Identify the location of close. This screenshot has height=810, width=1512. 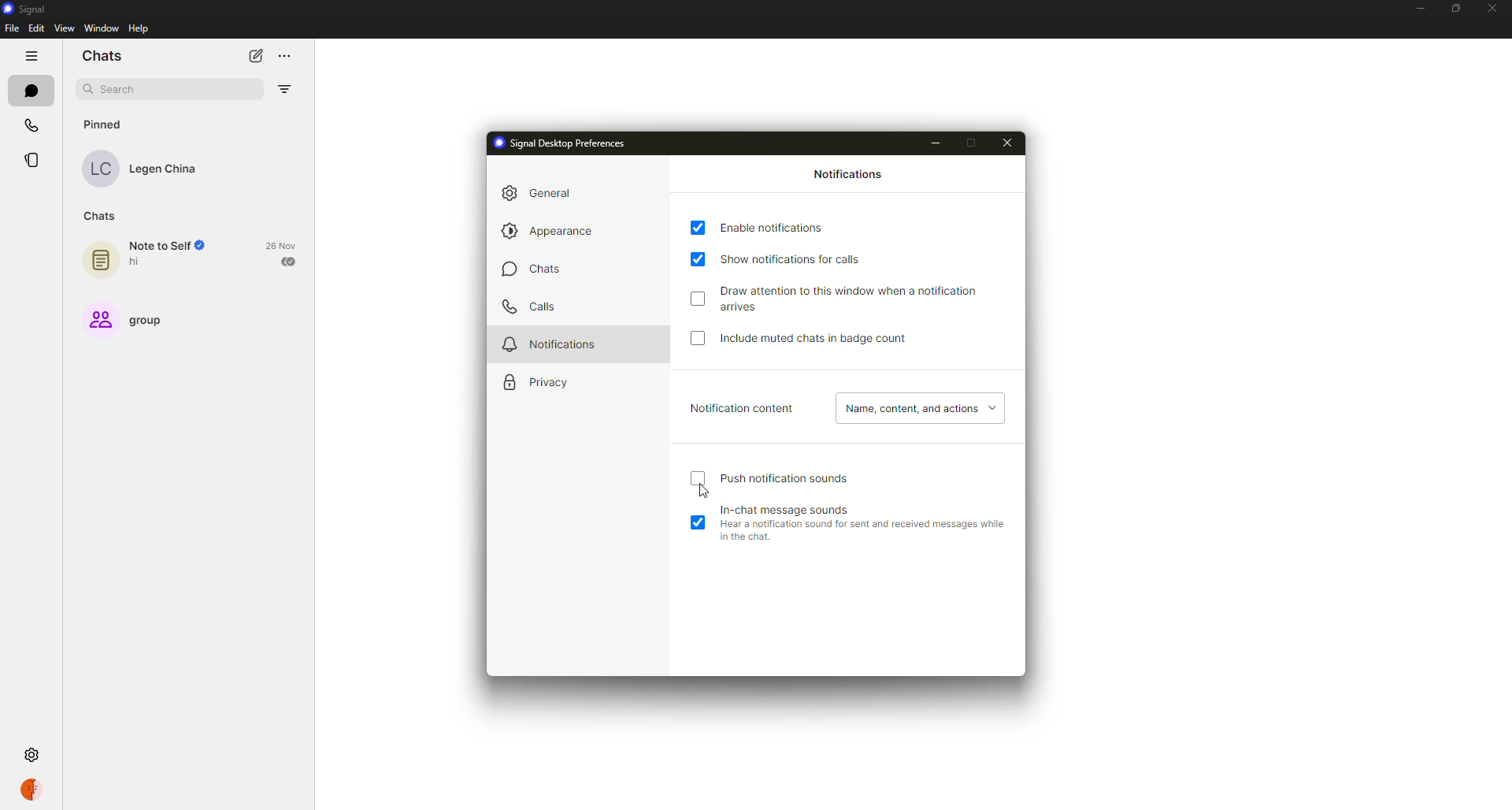
(1492, 8).